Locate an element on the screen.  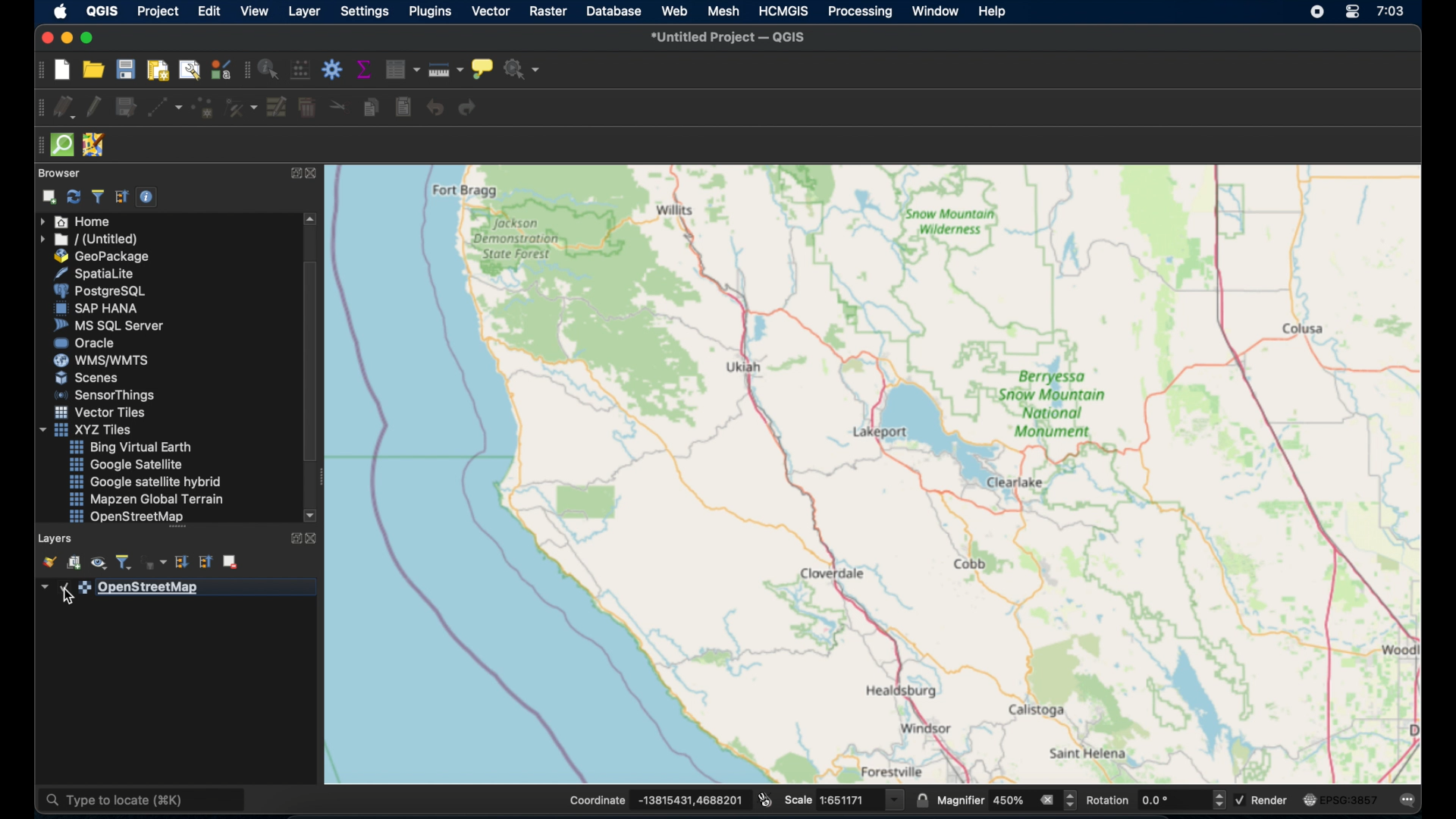
maximize is located at coordinates (86, 37).